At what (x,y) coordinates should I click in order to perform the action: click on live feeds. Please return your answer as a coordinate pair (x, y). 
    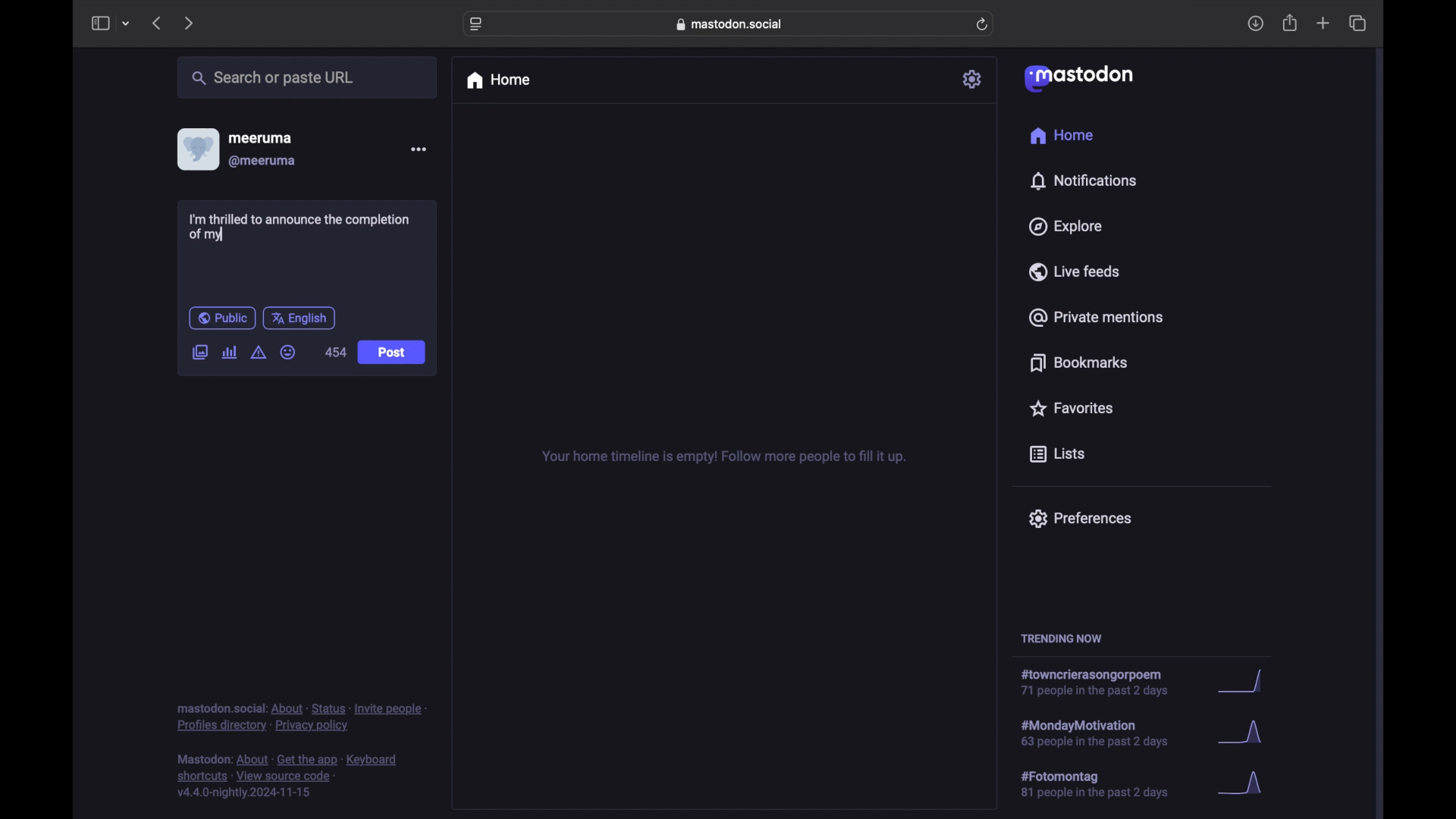
    Looking at the image, I should click on (1073, 271).